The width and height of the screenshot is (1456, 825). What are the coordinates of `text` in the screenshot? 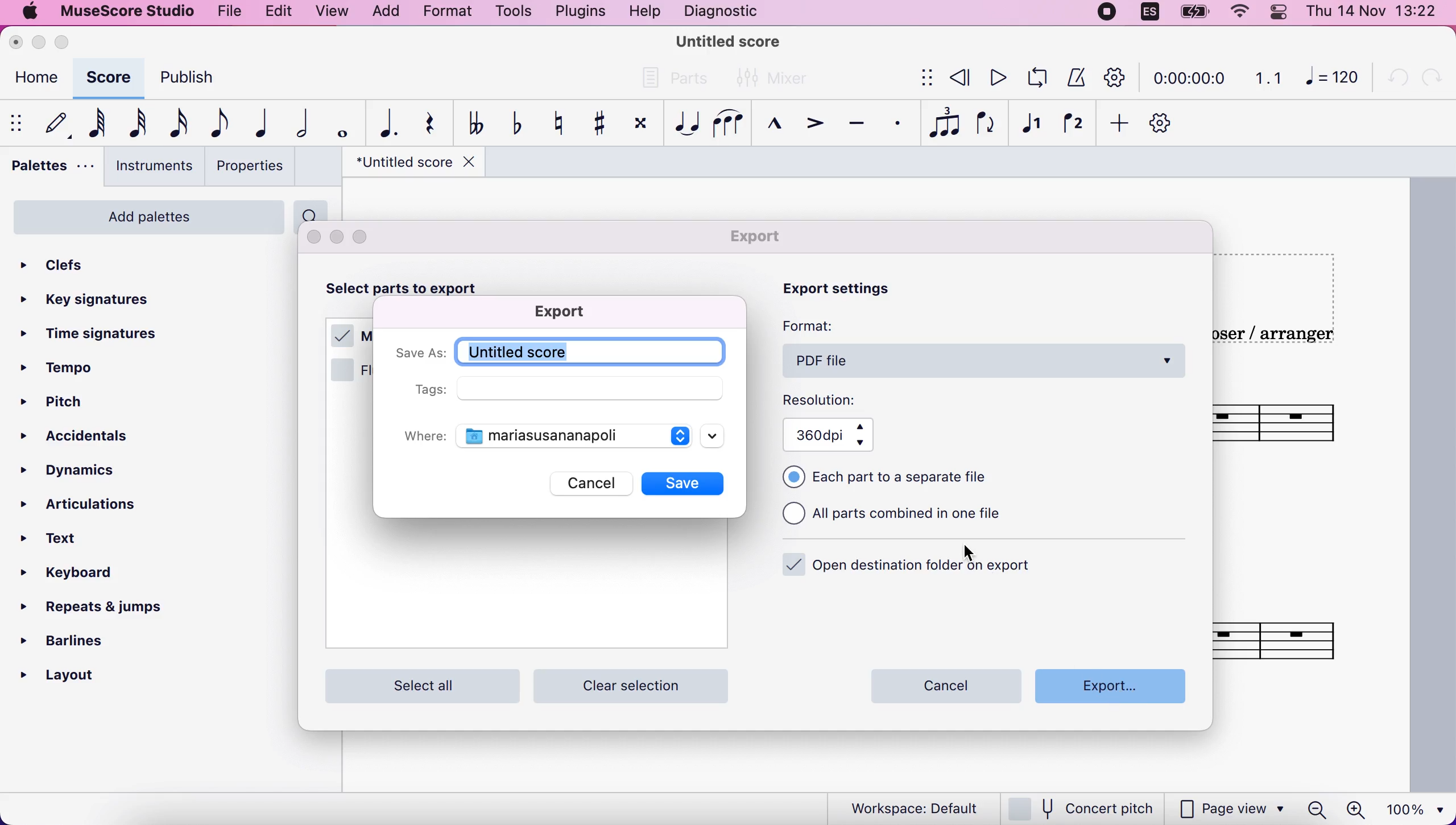 It's located at (69, 542).